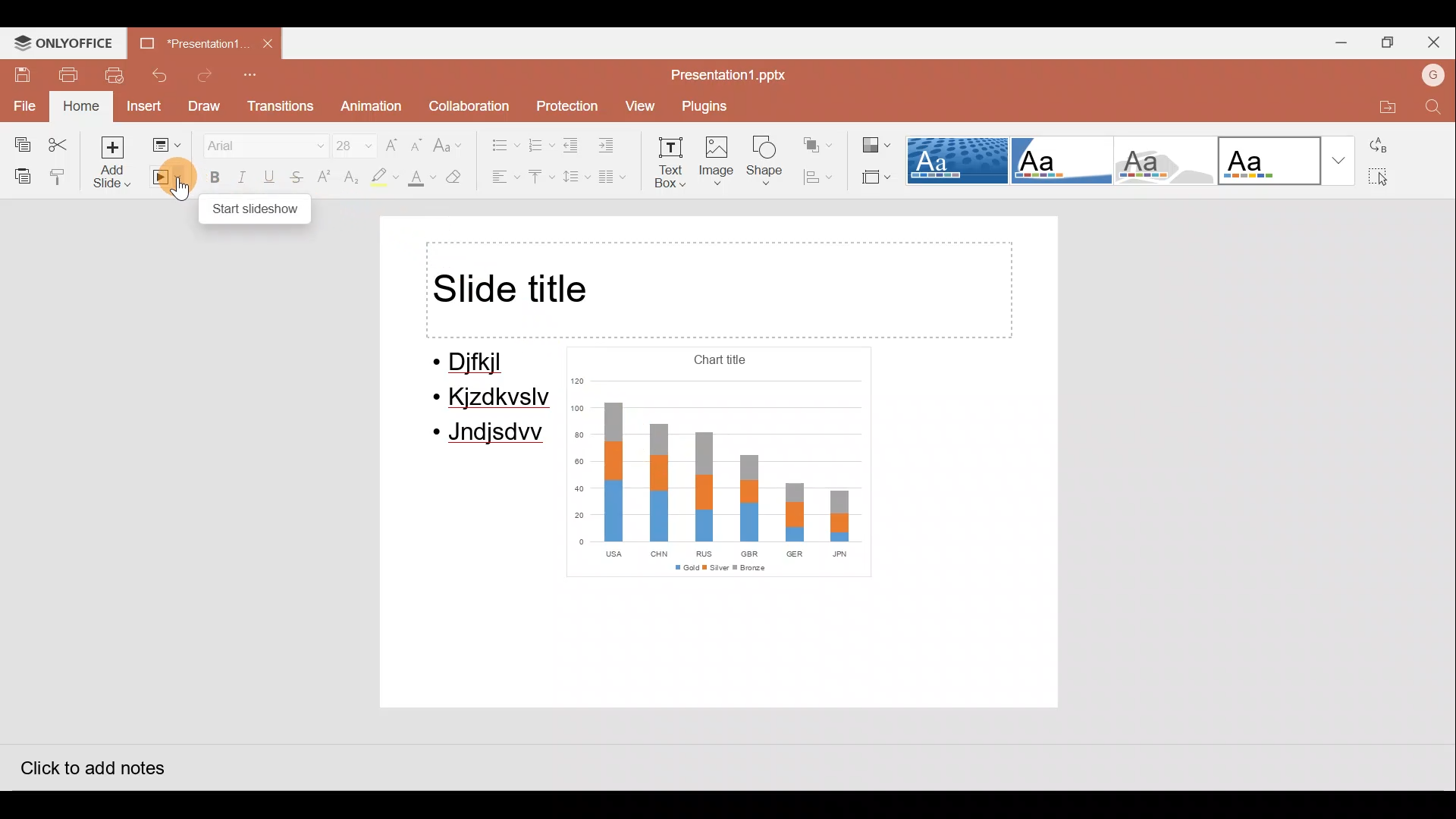  I want to click on Arrange shape, so click(814, 144).